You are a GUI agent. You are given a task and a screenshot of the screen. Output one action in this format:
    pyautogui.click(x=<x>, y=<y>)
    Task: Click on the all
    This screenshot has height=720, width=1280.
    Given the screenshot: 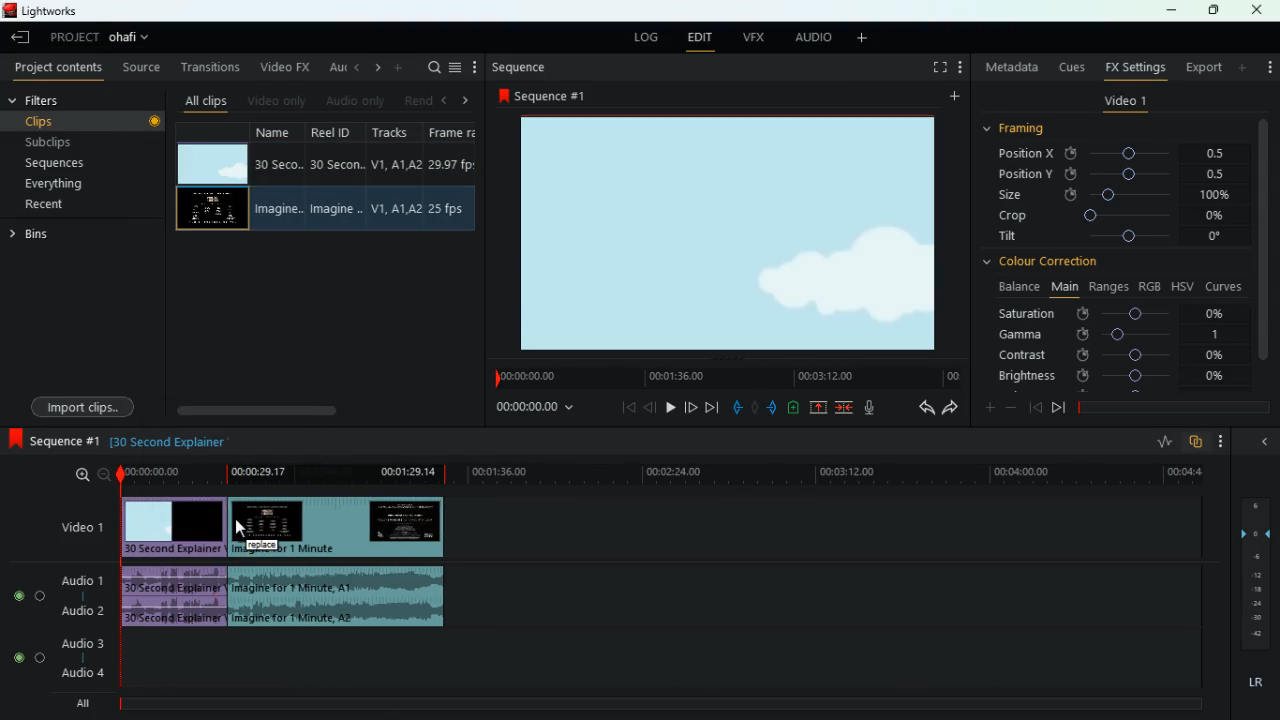 What is the action you would take?
    pyautogui.click(x=90, y=703)
    